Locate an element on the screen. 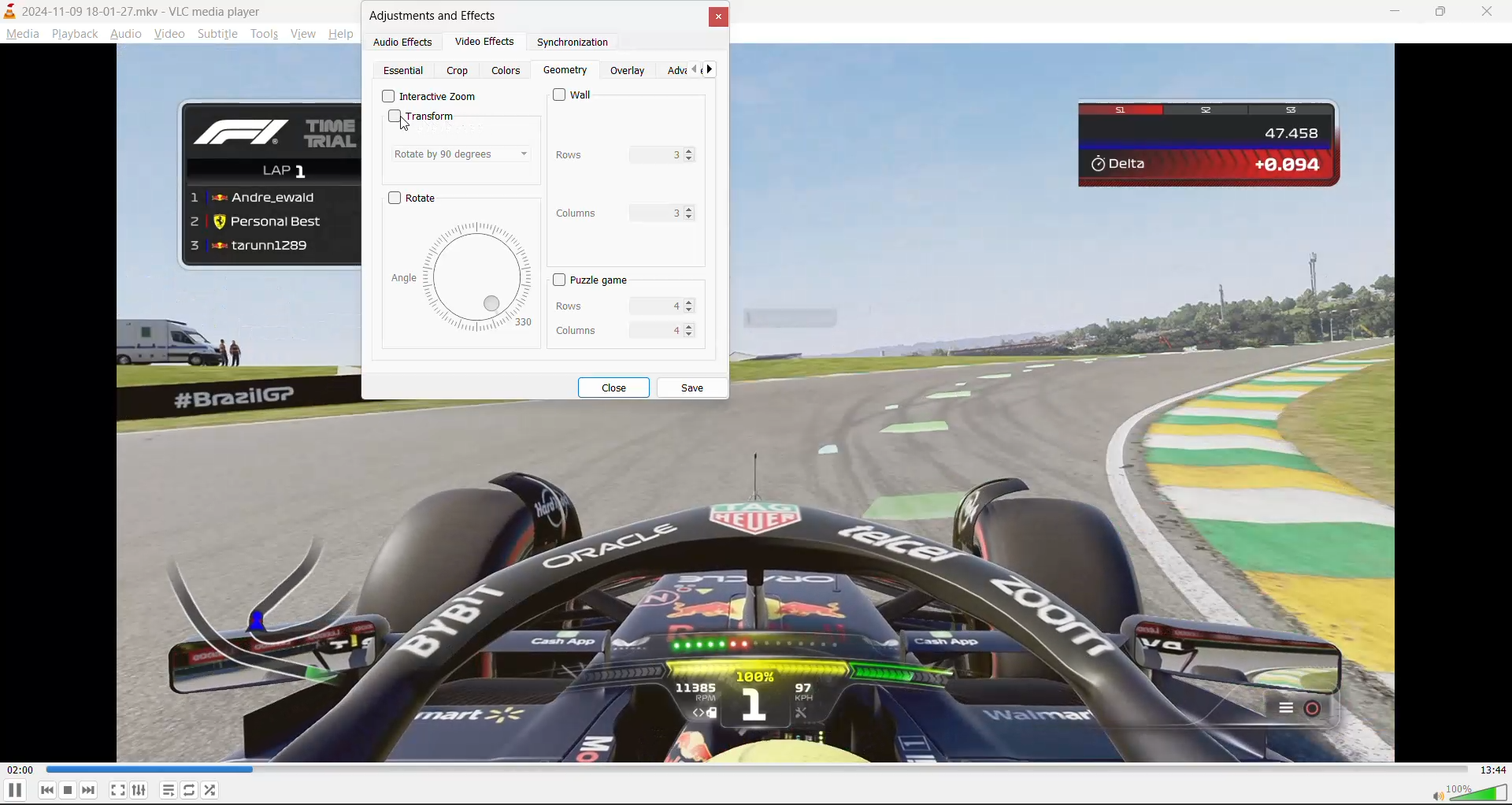 Image resolution: width=1512 pixels, height=805 pixels. audio effects is located at coordinates (404, 43).